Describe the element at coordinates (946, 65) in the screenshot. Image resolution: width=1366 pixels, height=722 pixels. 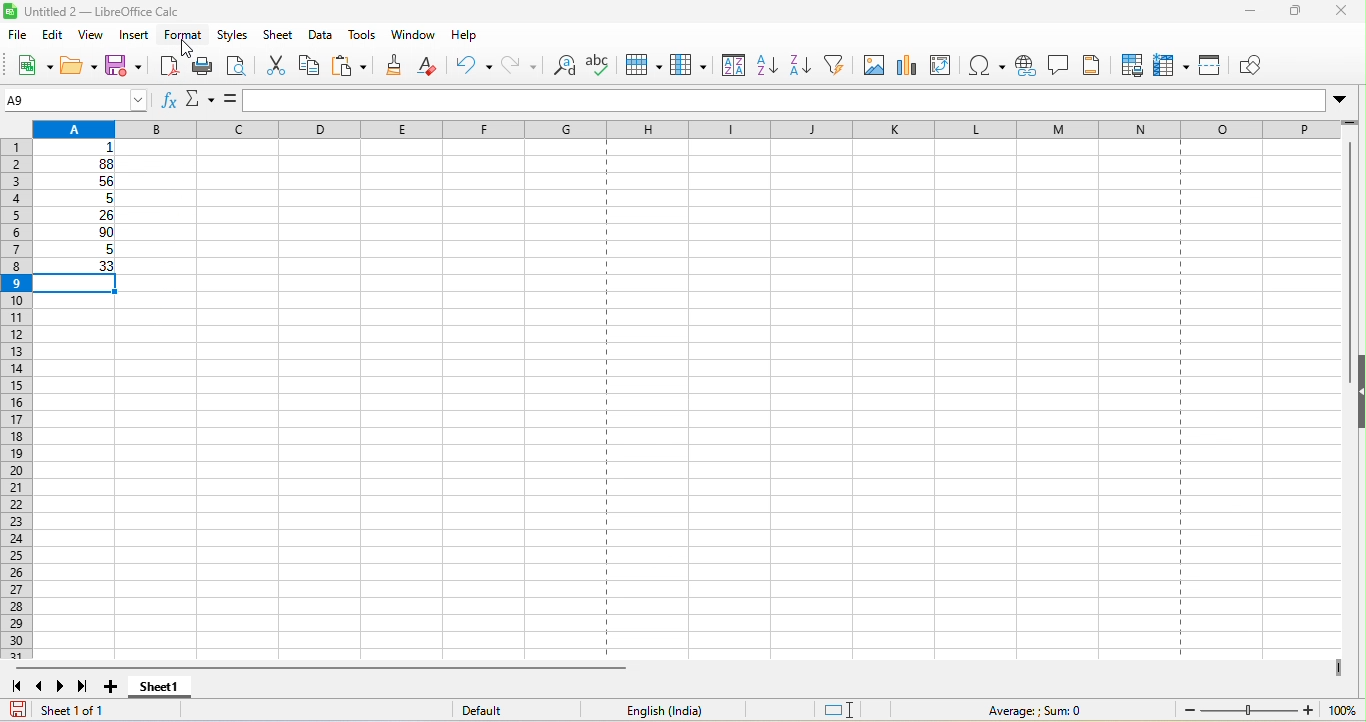
I see `edit pivot table` at that location.